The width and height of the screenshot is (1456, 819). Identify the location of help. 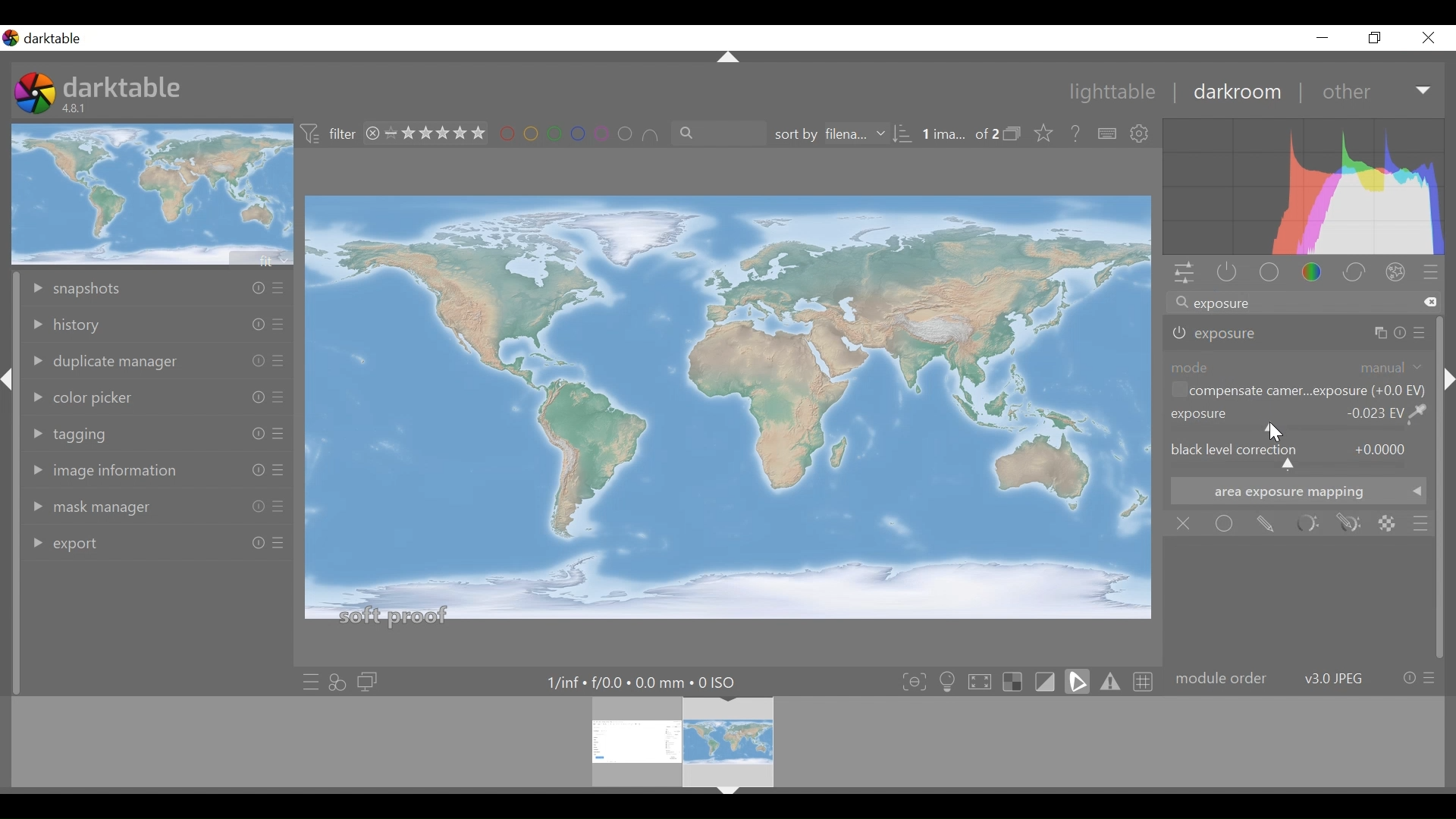
(1077, 134).